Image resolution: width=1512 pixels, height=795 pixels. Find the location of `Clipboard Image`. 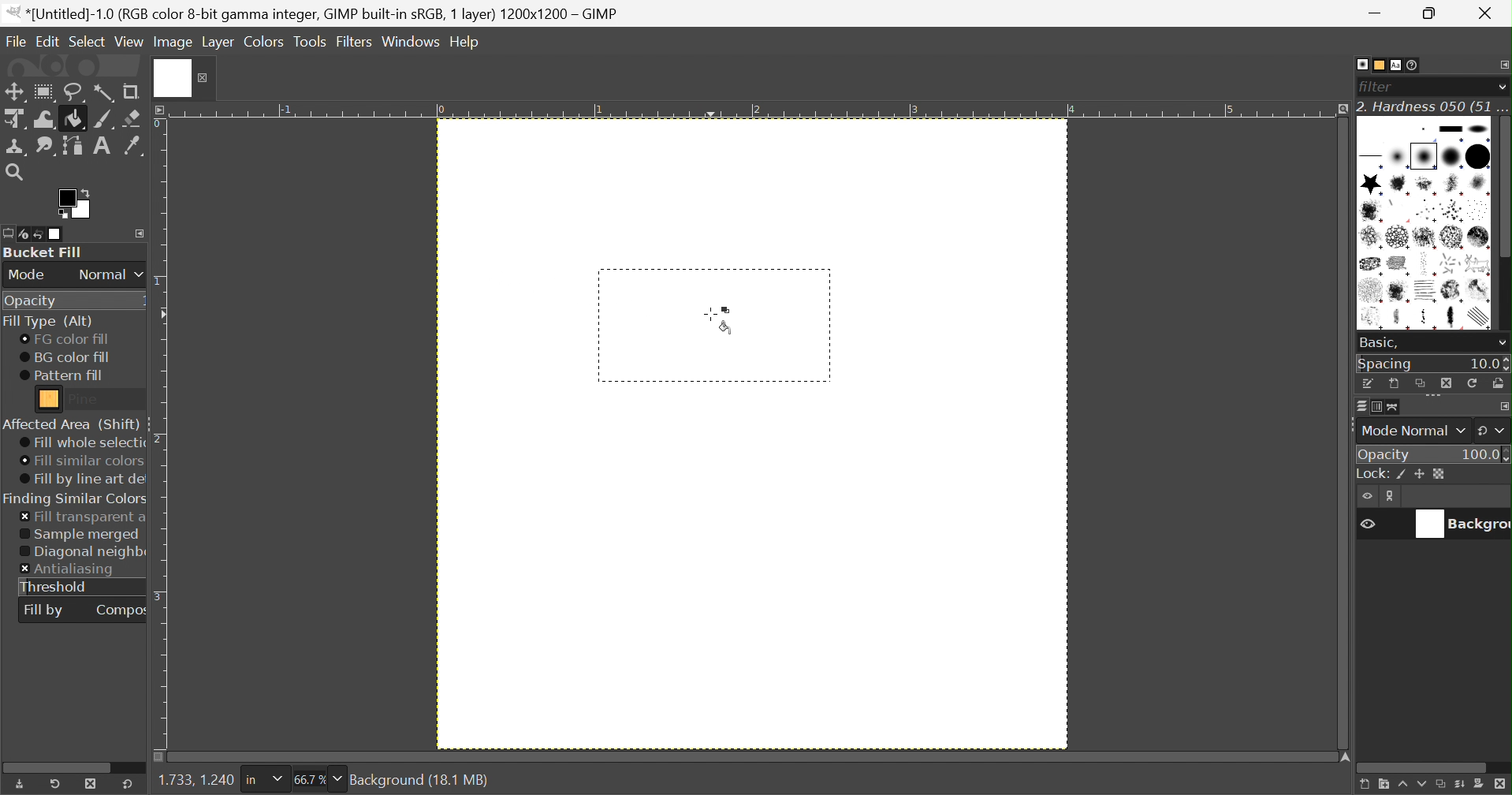

Clipboard Image is located at coordinates (1374, 130).